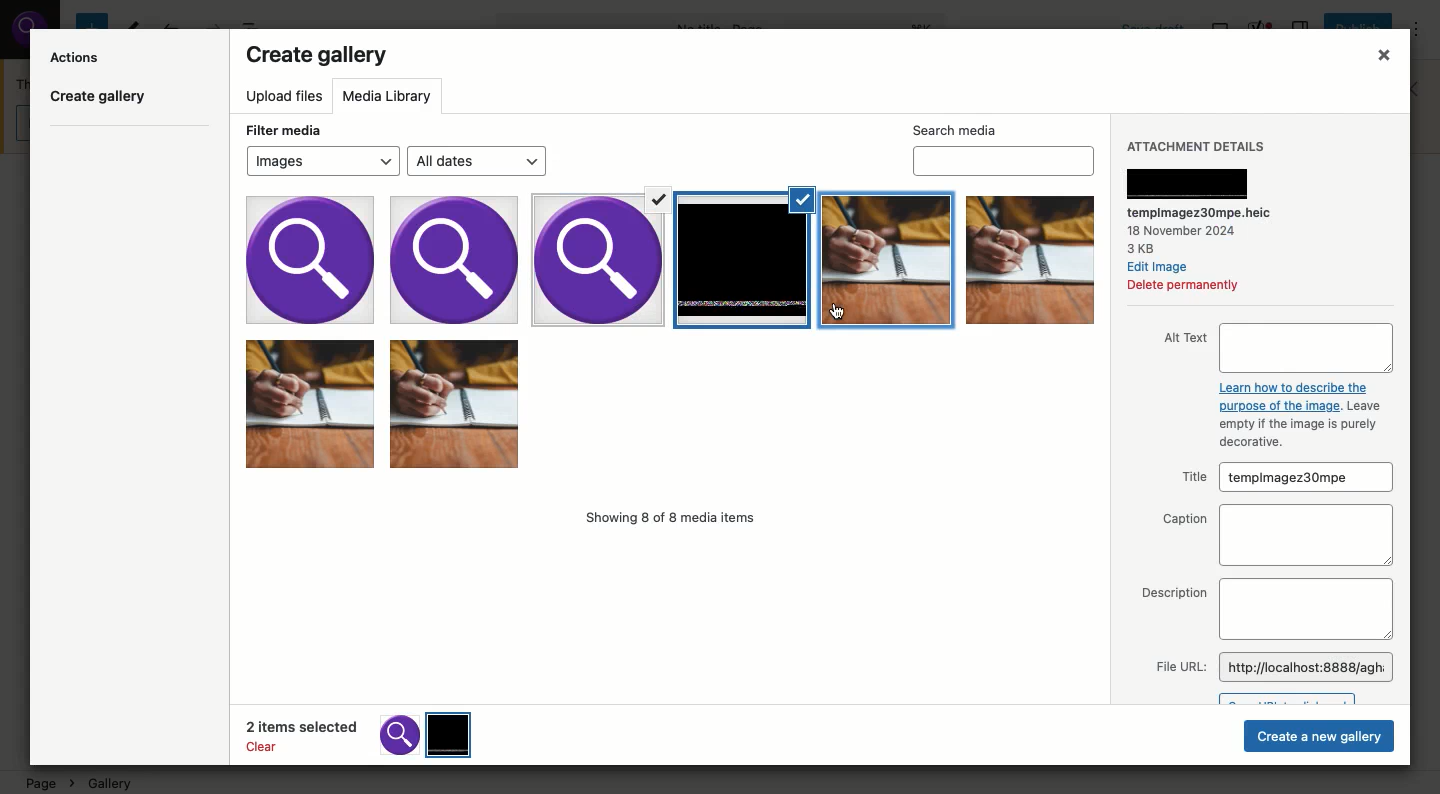 This screenshot has width=1440, height=794. I want to click on Attachment details, so click(1197, 144).